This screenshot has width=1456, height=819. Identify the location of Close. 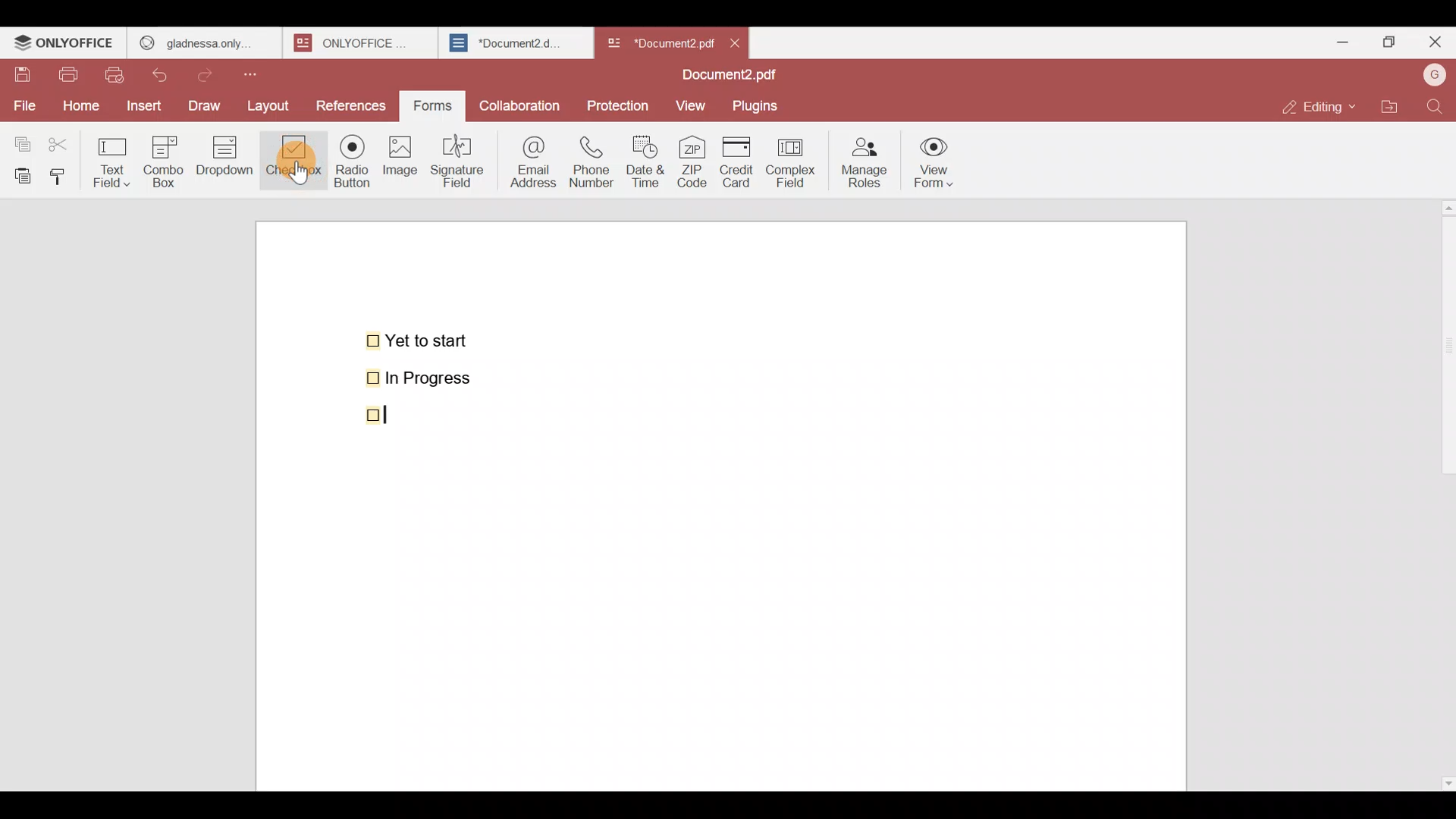
(742, 42).